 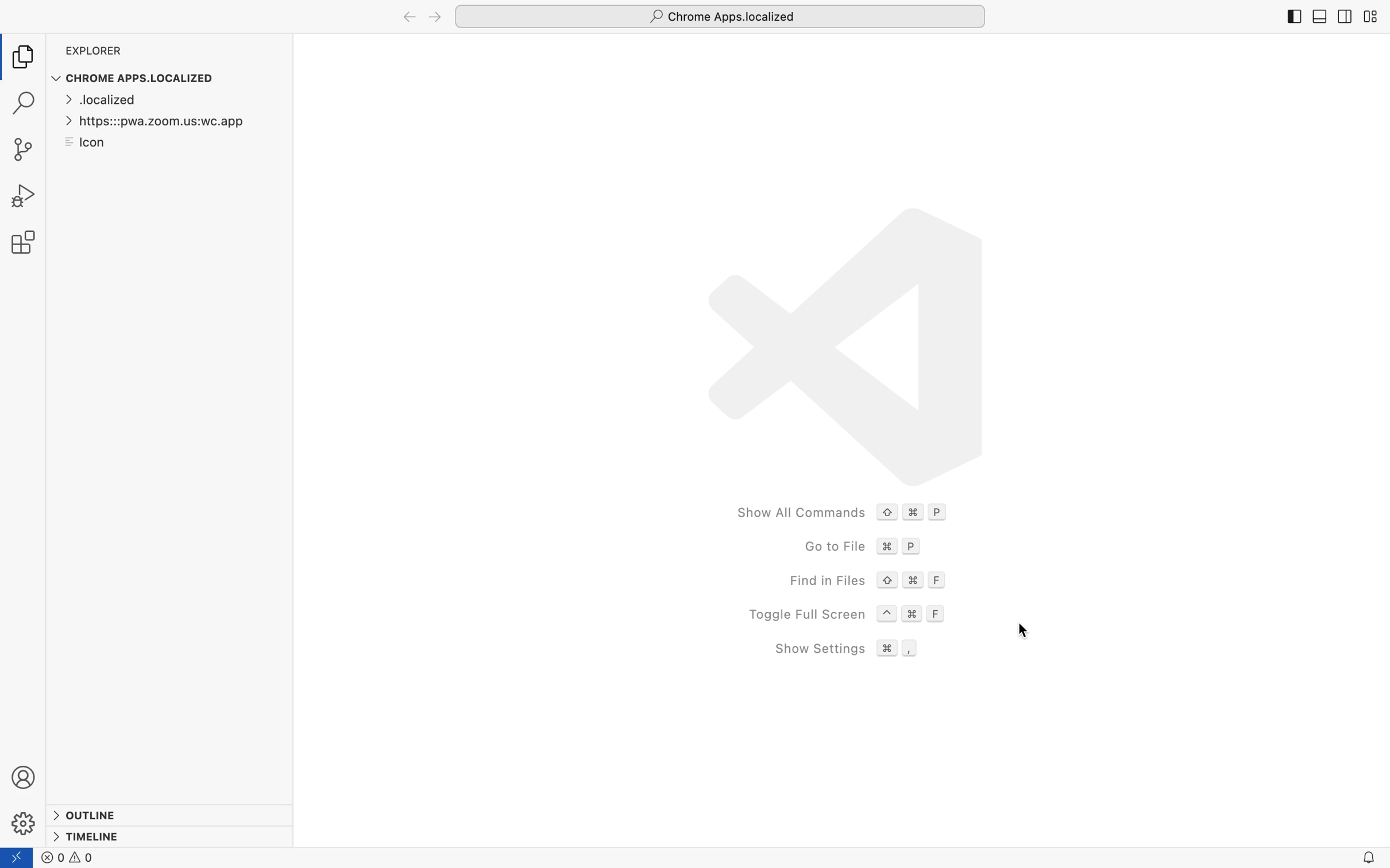 What do you see at coordinates (1369, 858) in the screenshot?
I see `notifications` at bounding box center [1369, 858].